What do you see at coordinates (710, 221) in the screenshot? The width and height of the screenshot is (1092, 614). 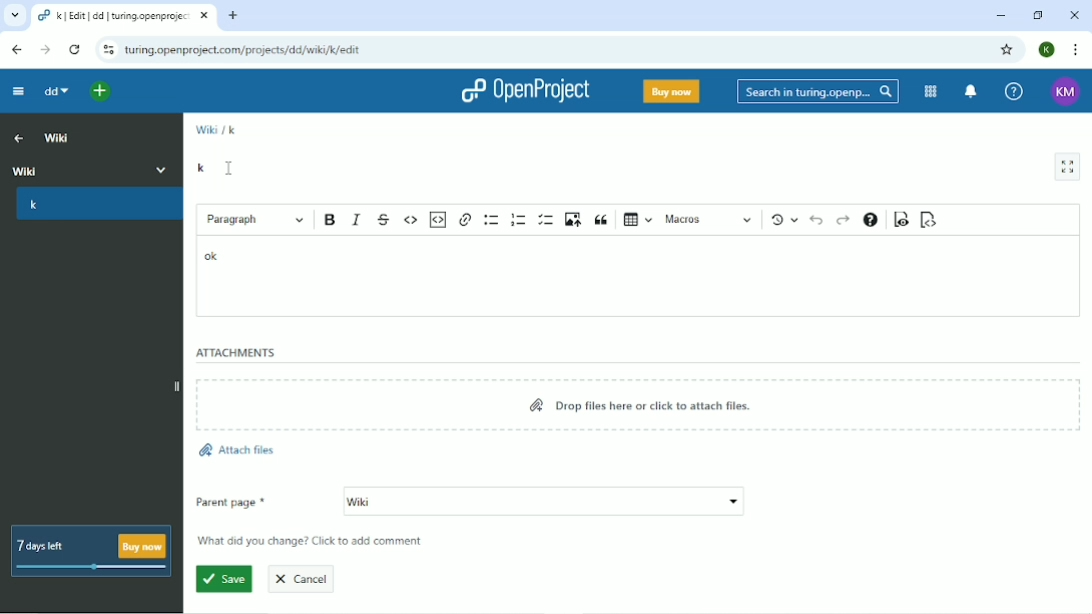 I see `Macros` at bounding box center [710, 221].